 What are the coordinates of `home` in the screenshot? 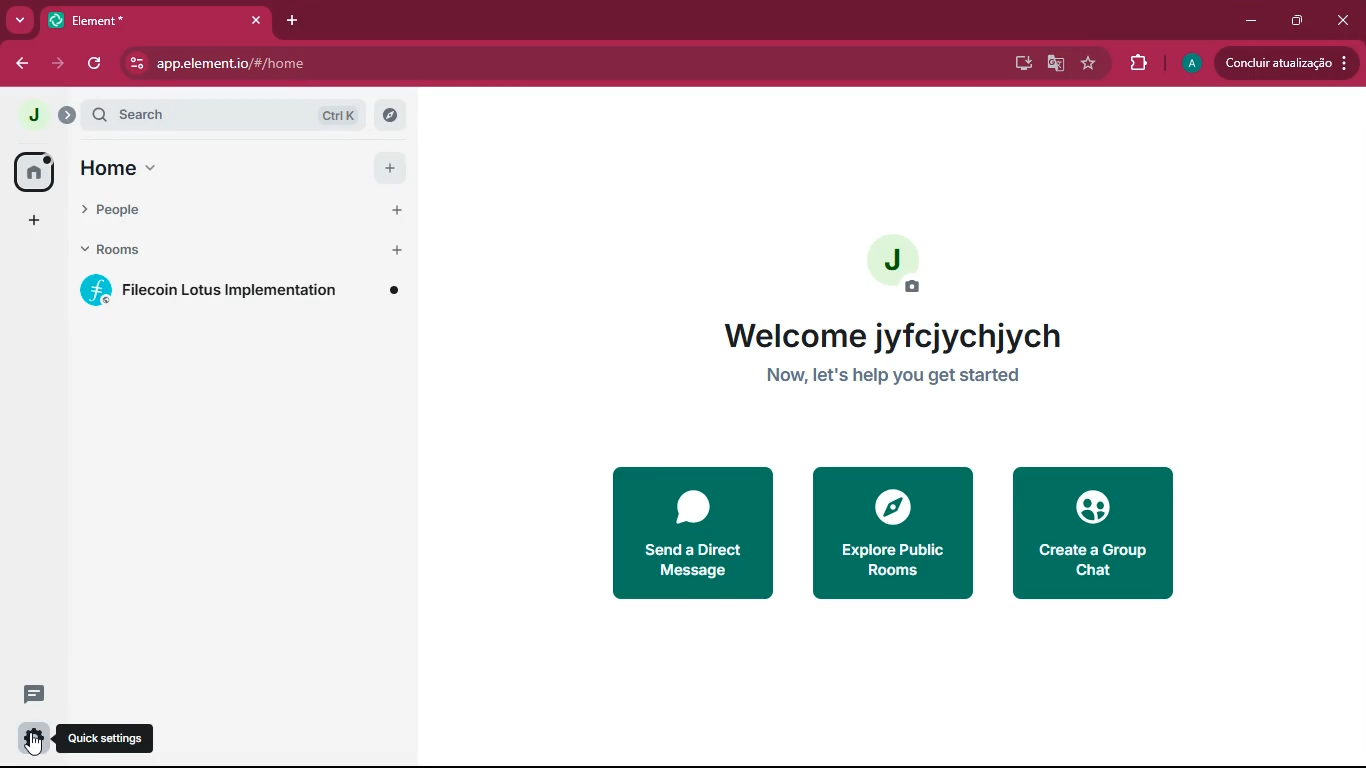 It's located at (241, 168).